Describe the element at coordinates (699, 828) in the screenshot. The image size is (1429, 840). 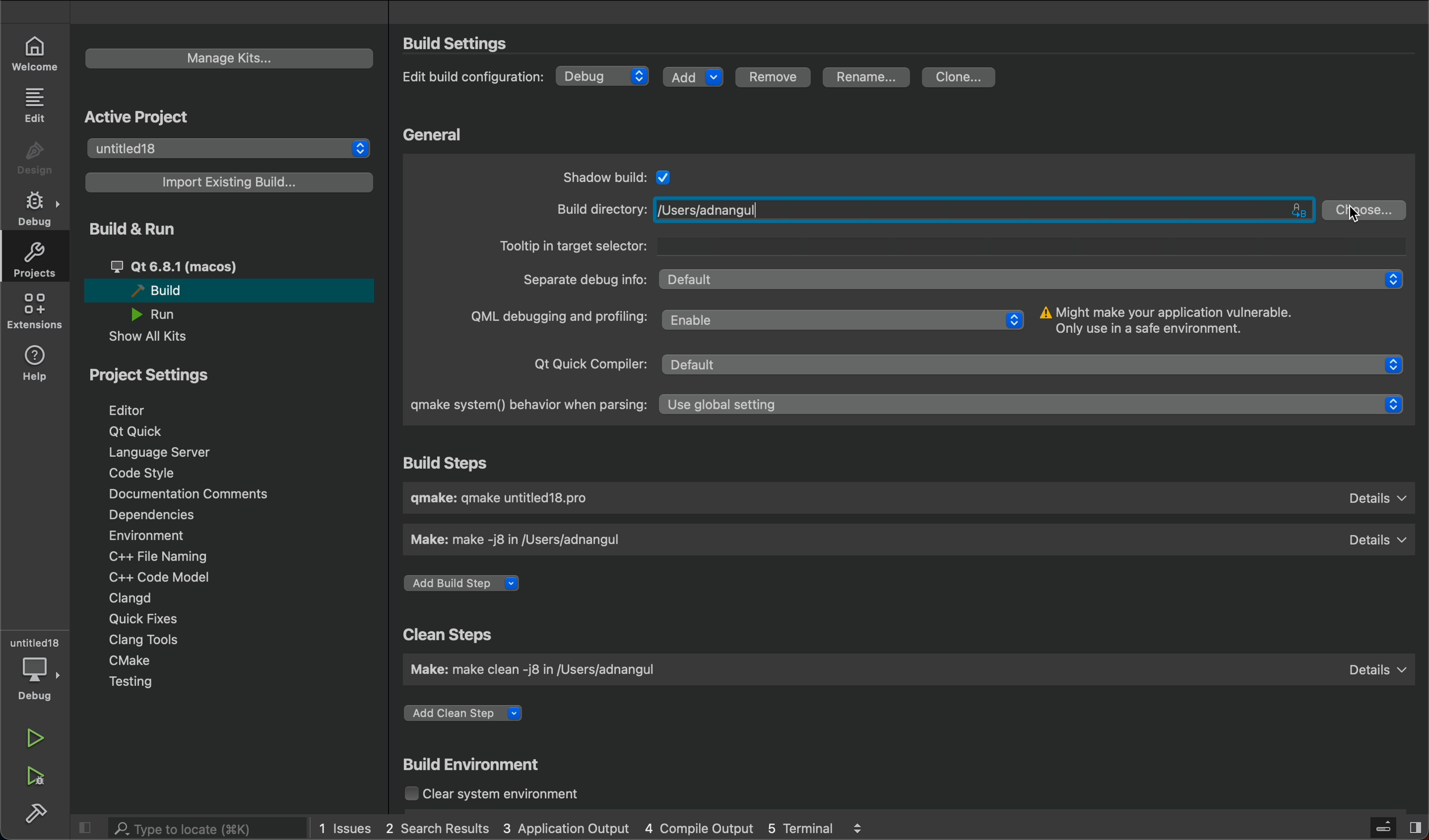
I see `4 Compile Output` at that location.